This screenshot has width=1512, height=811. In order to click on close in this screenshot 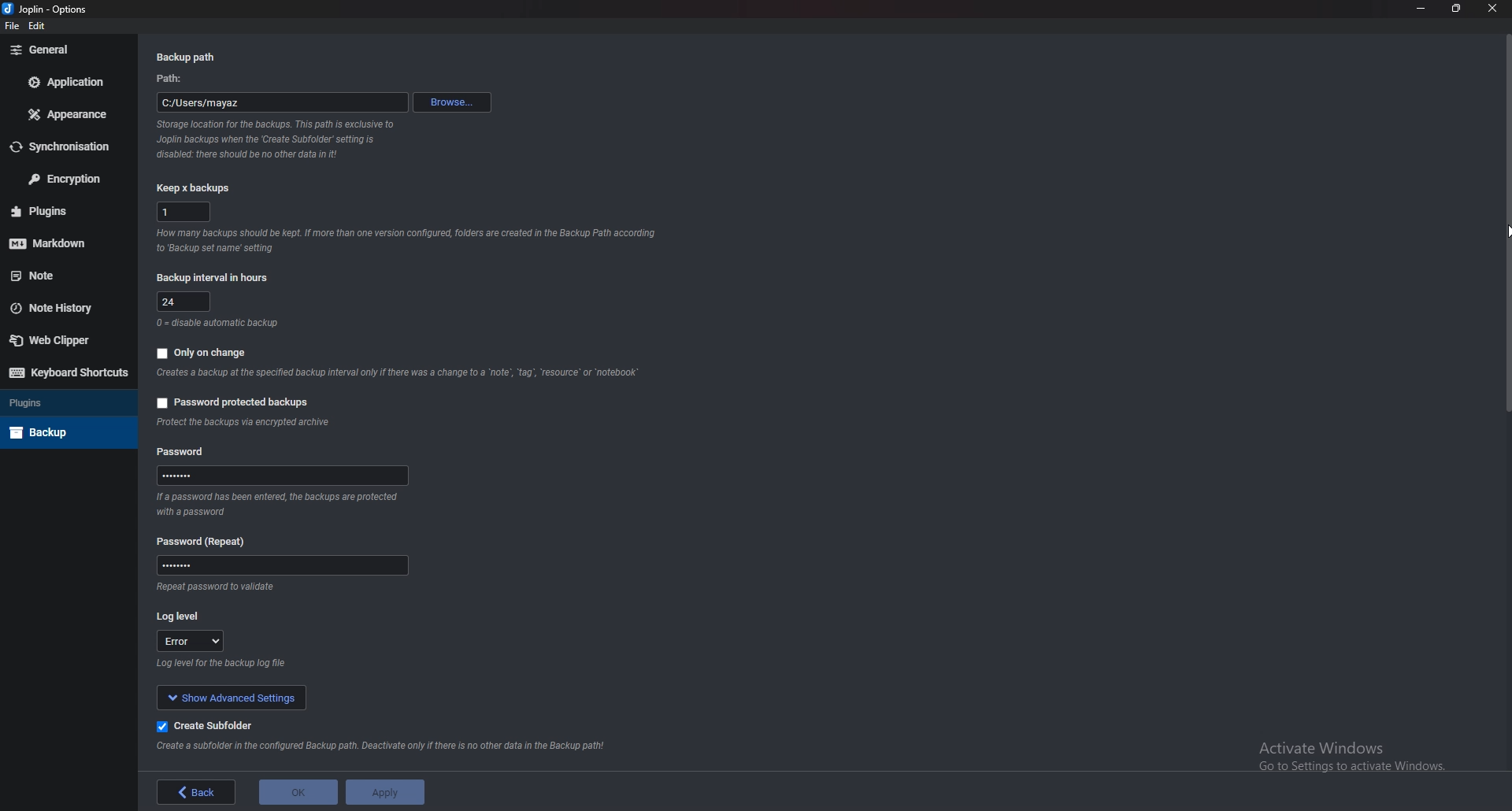, I will do `click(1490, 12)`.